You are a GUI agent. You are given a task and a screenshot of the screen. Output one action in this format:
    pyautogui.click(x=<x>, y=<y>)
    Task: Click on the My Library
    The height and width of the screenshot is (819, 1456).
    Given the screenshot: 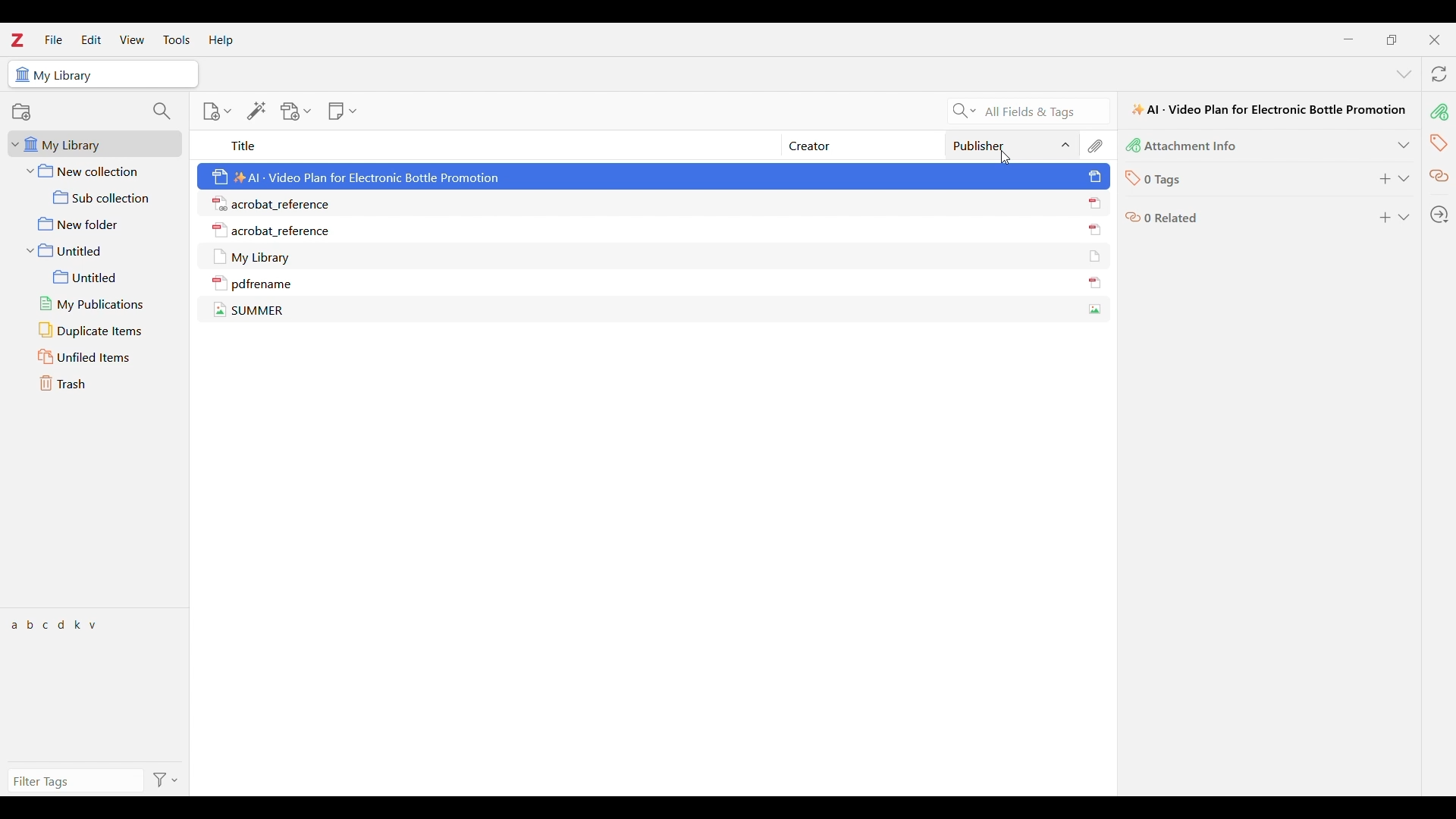 What is the action you would take?
    pyautogui.click(x=68, y=74)
    